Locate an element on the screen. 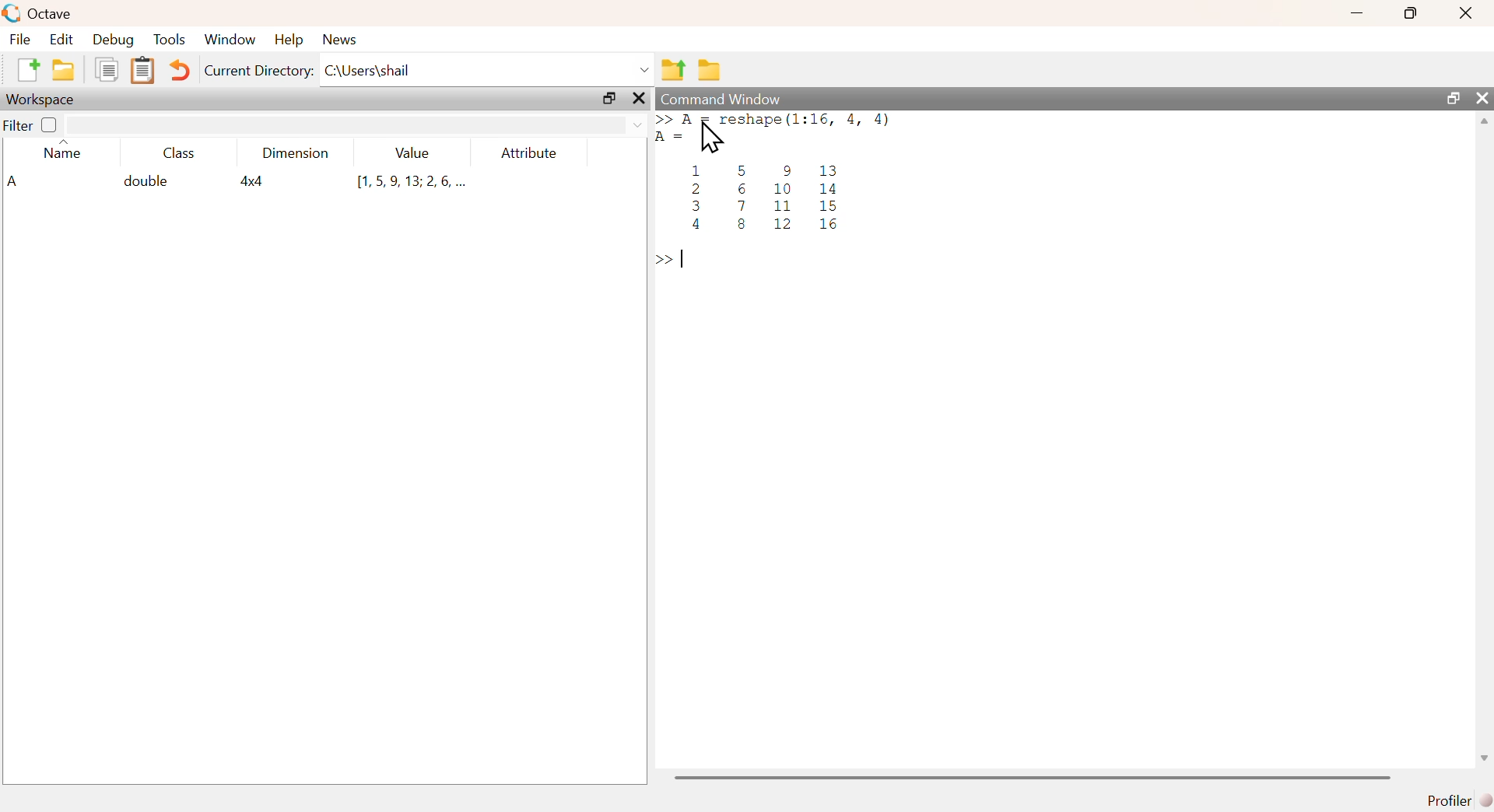 This screenshot has width=1494, height=812. 1,5,9,13;2,6, .. is located at coordinates (412, 181).